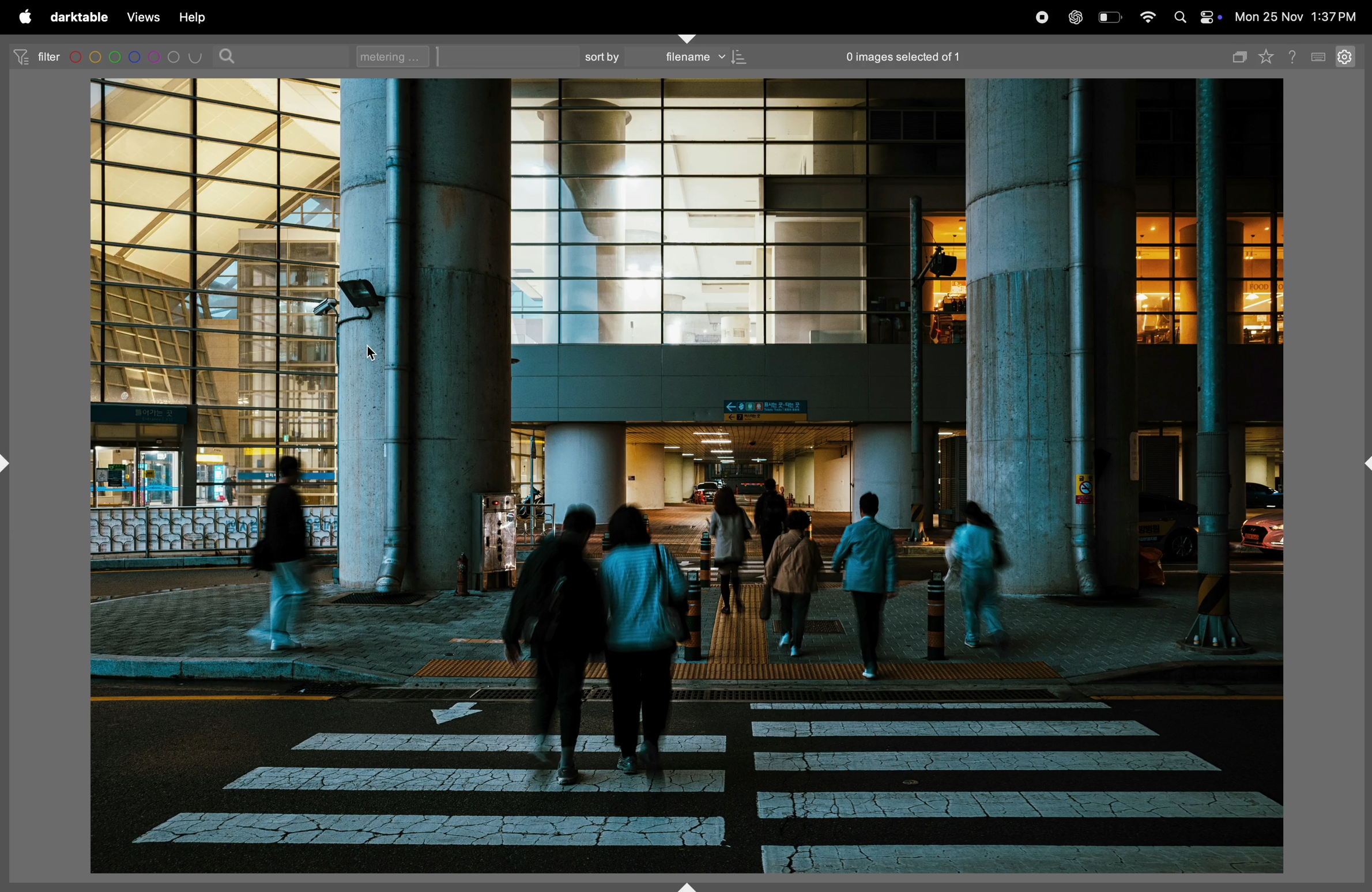  Describe the element at coordinates (687, 38) in the screenshot. I see `shift+ctrl+t` at that location.